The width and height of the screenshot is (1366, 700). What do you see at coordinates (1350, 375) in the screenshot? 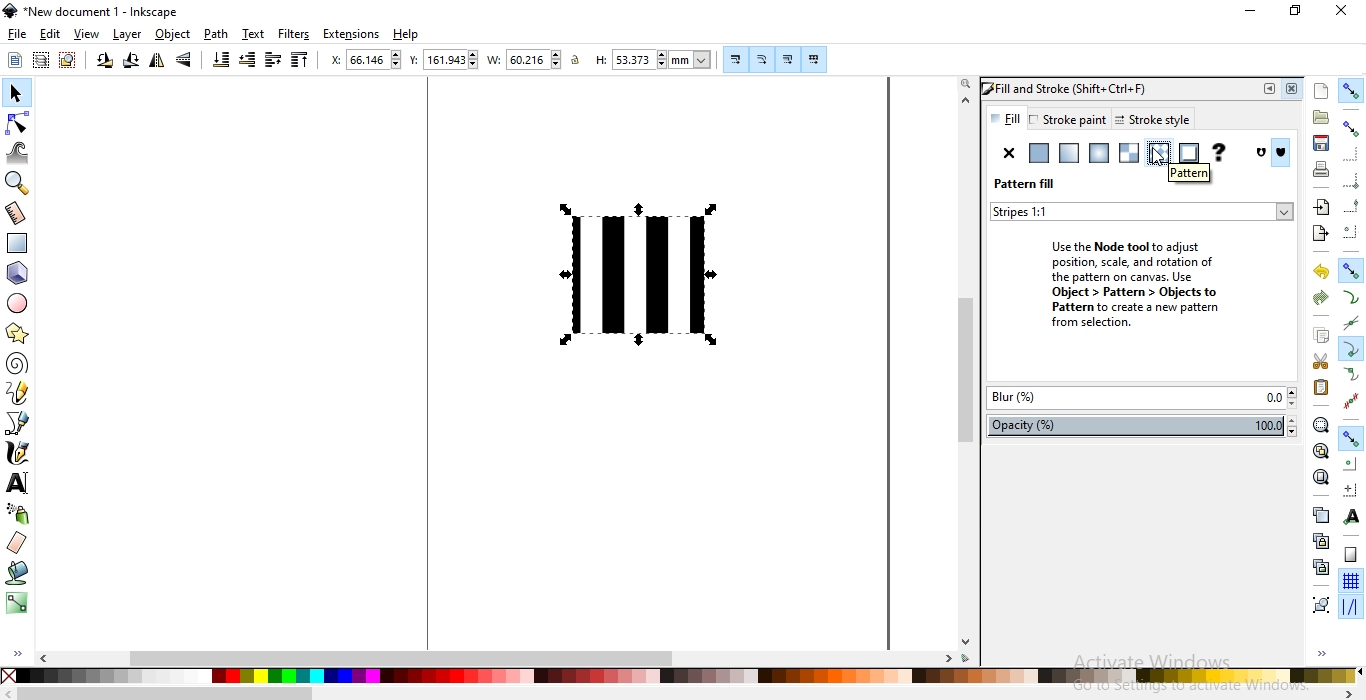
I see `snap smooth nodes` at bounding box center [1350, 375].